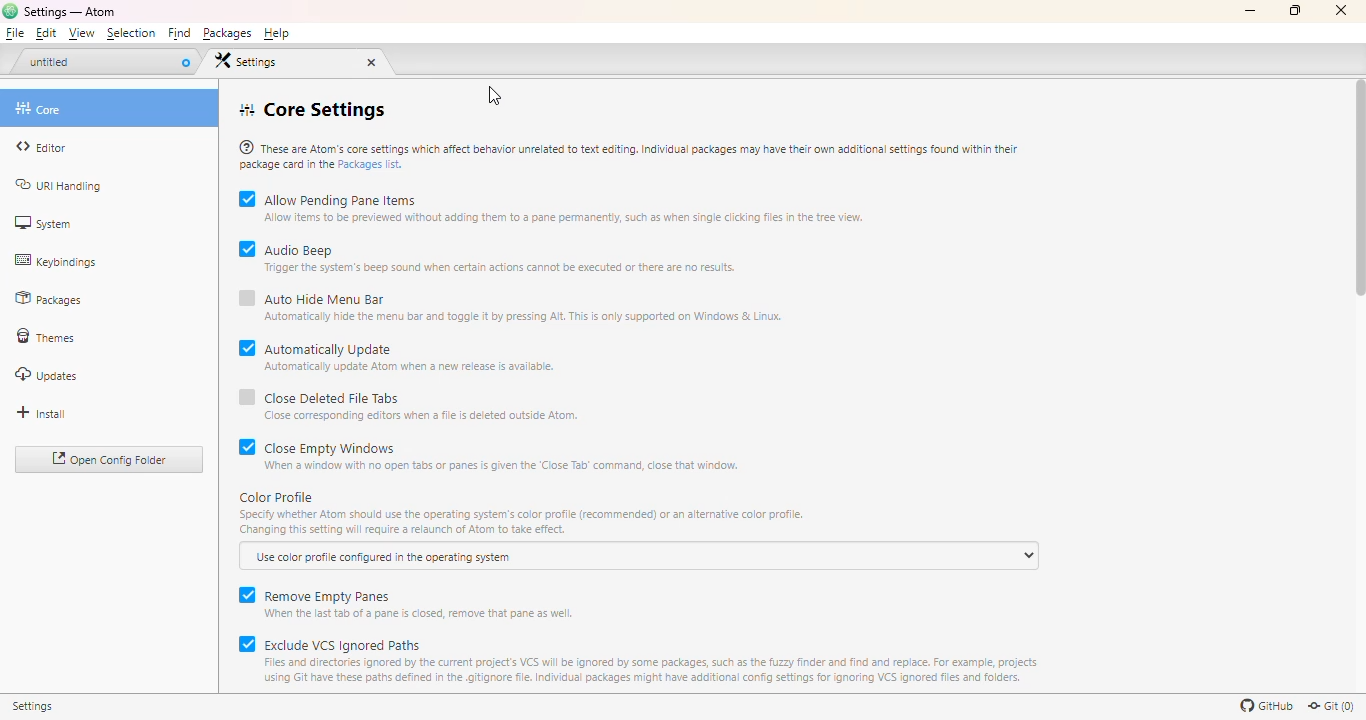 Image resolution: width=1366 pixels, height=720 pixels. I want to click on audio beep, so click(502, 256).